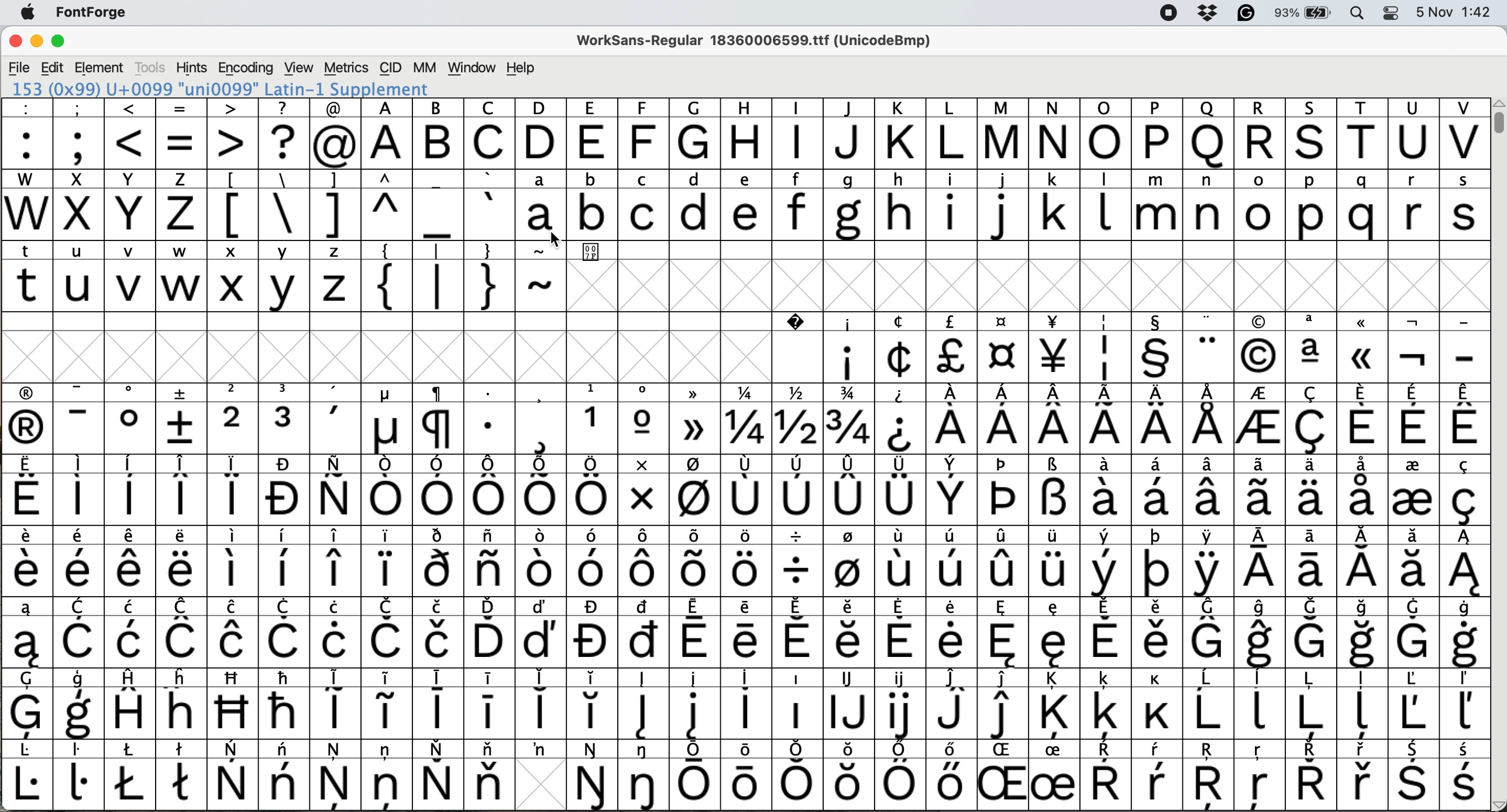 The width and height of the screenshot is (1507, 812). What do you see at coordinates (953, 703) in the screenshot?
I see `symbol` at bounding box center [953, 703].